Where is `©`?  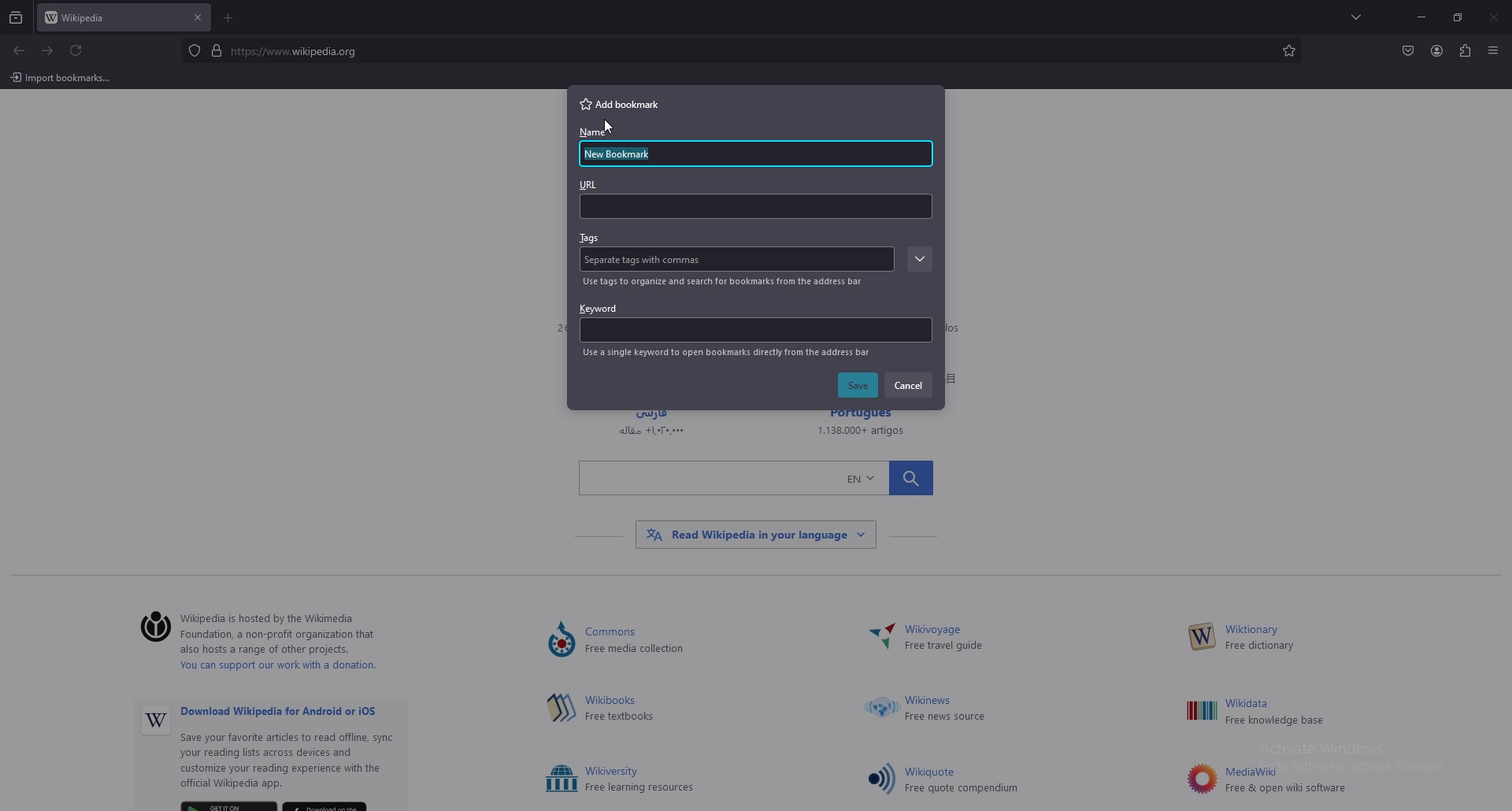
© is located at coordinates (150, 628).